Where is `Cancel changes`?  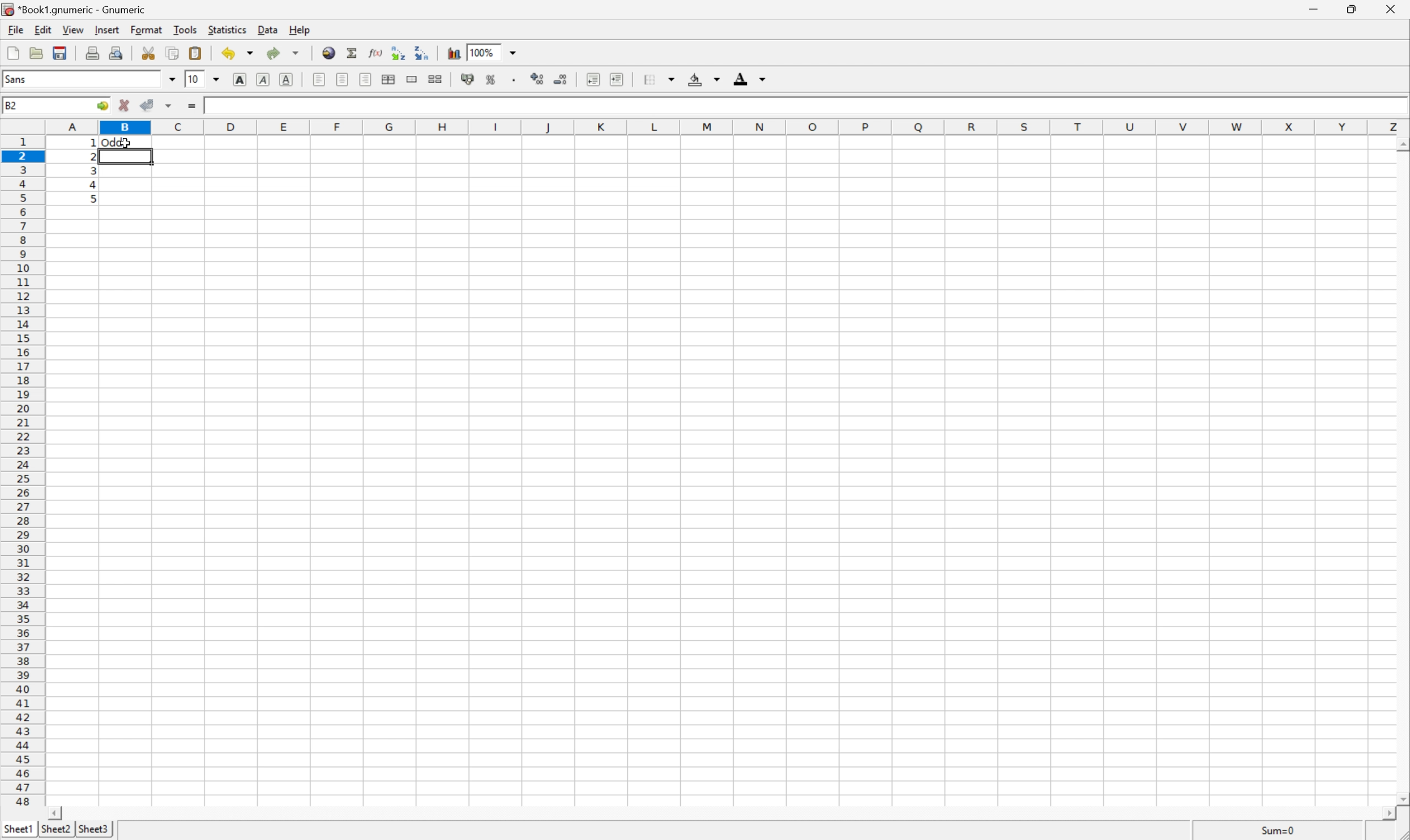 Cancel changes is located at coordinates (122, 104).